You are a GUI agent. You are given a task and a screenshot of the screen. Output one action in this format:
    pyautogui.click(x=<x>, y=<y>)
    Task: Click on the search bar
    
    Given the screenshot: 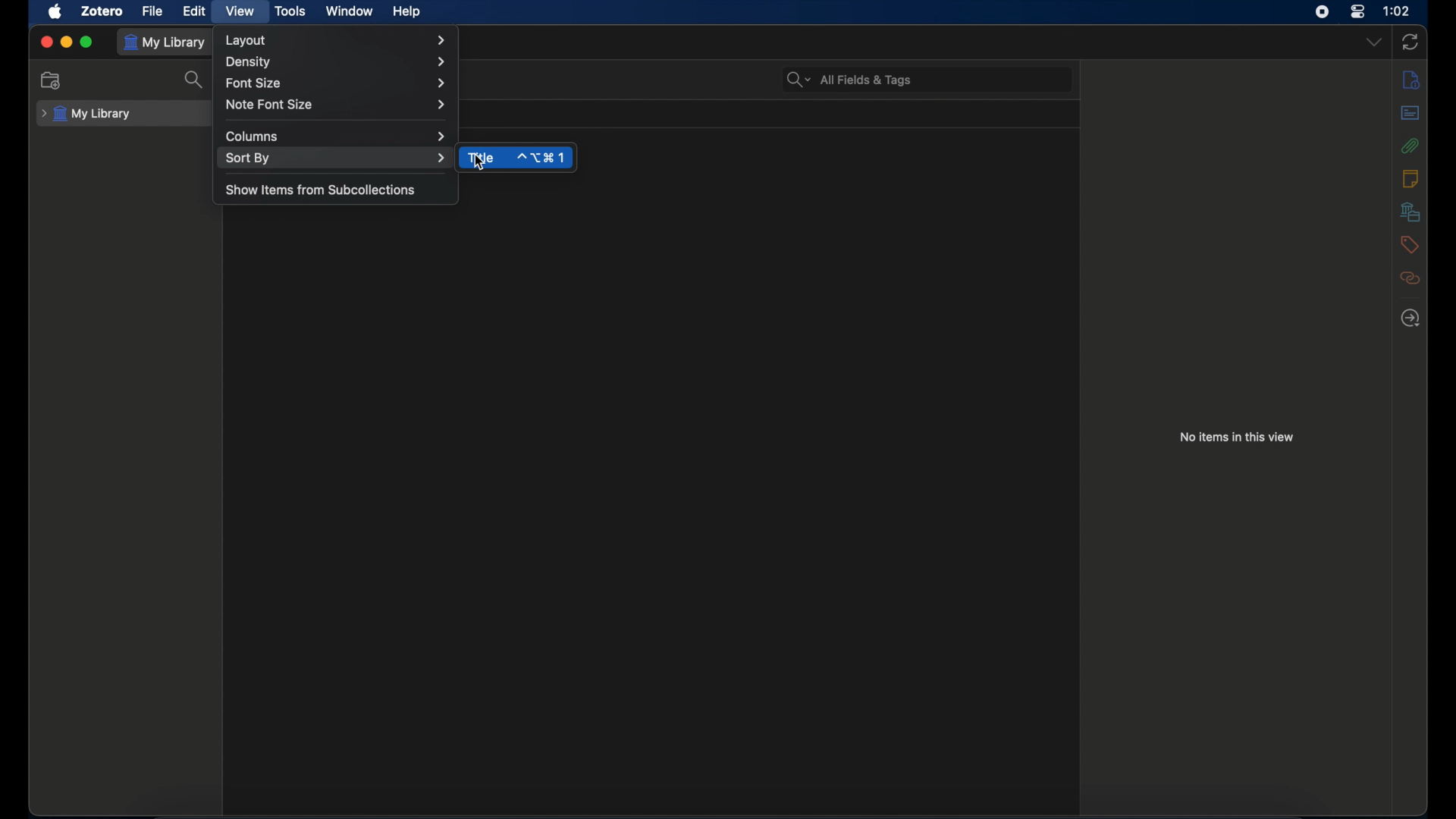 What is the action you would take?
    pyautogui.click(x=847, y=80)
    